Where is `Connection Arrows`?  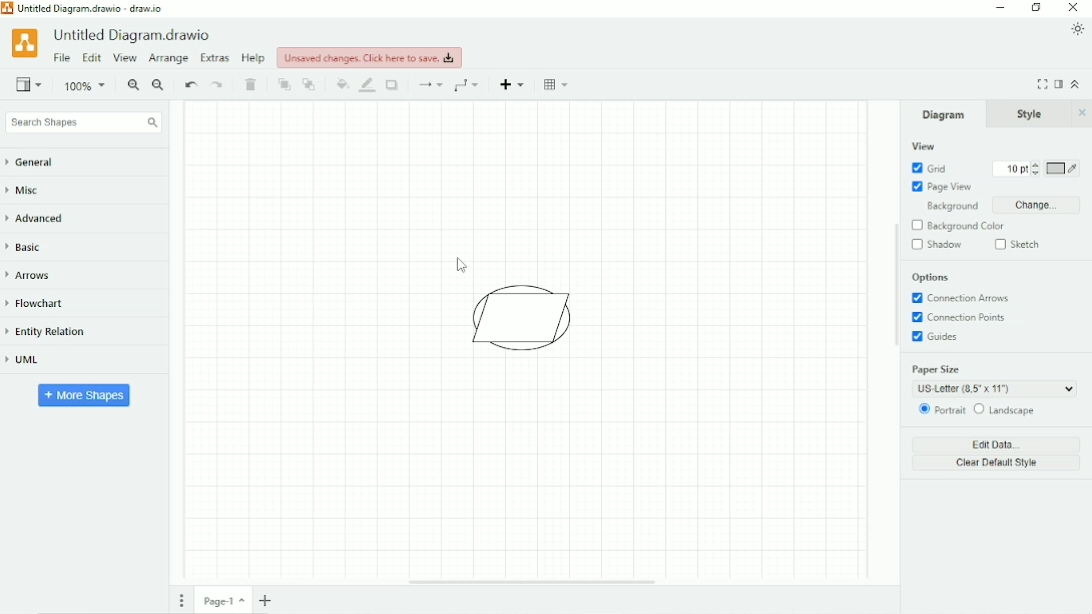 Connection Arrows is located at coordinates (962, 298).